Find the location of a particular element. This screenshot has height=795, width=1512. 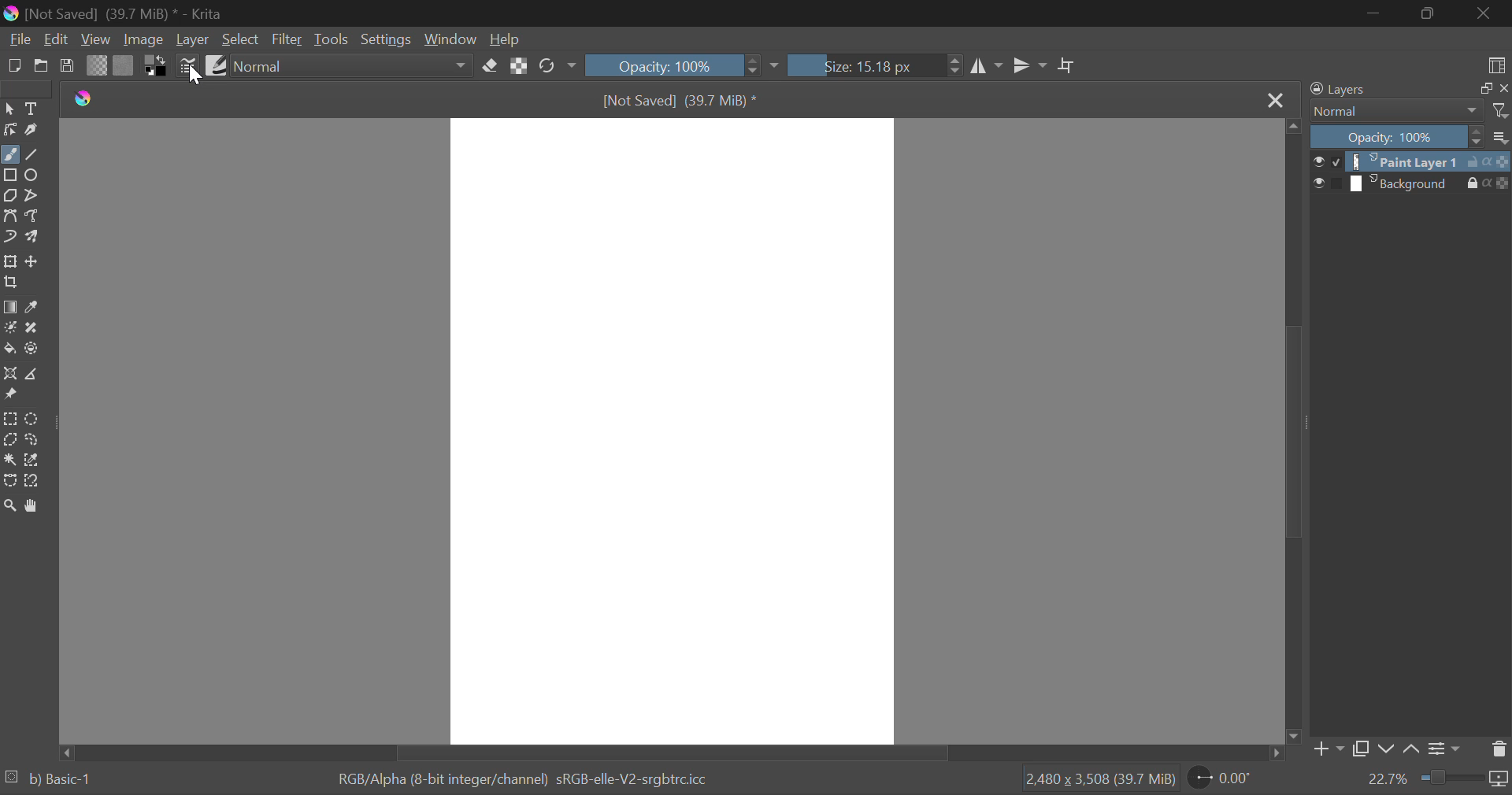

Bezier Curve is located at coordinates (13, 216).